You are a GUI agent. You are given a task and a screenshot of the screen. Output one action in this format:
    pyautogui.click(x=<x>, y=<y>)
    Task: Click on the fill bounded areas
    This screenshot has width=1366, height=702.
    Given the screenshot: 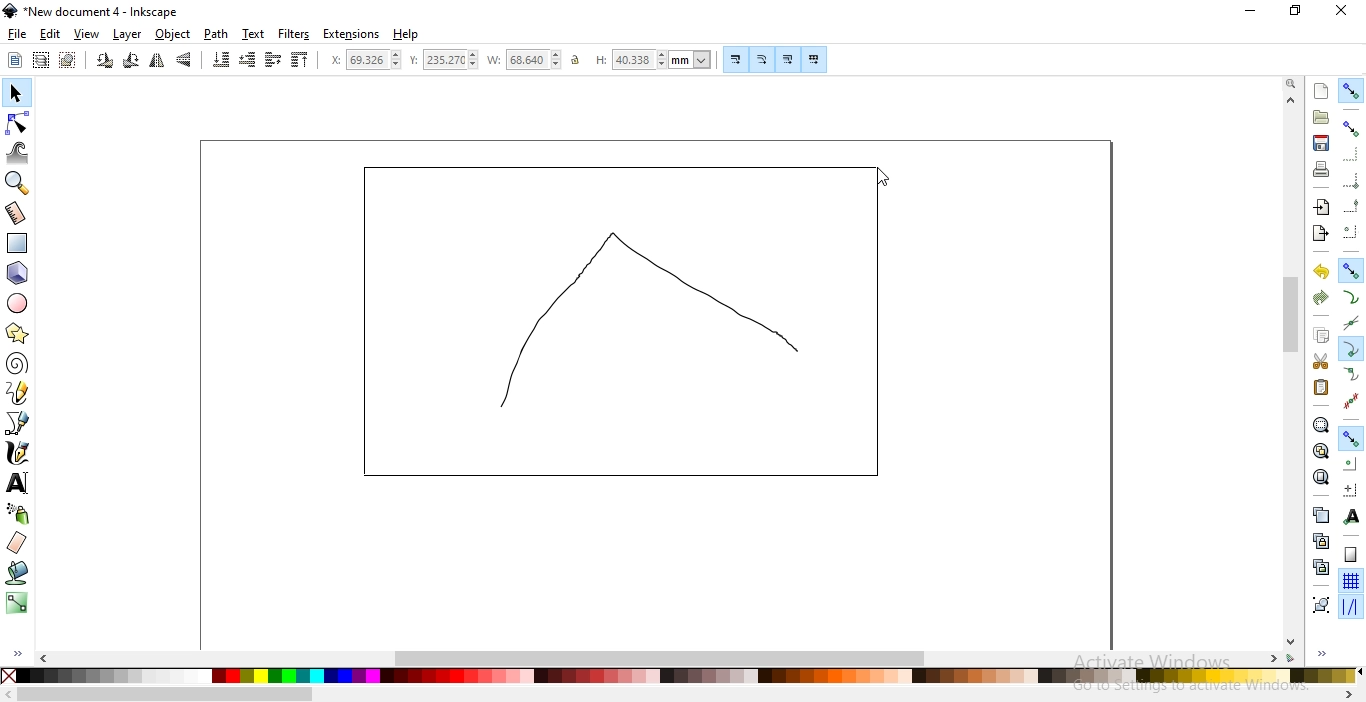 What is the action you would take?
    pyautogui.click(x=18, y=573)
    